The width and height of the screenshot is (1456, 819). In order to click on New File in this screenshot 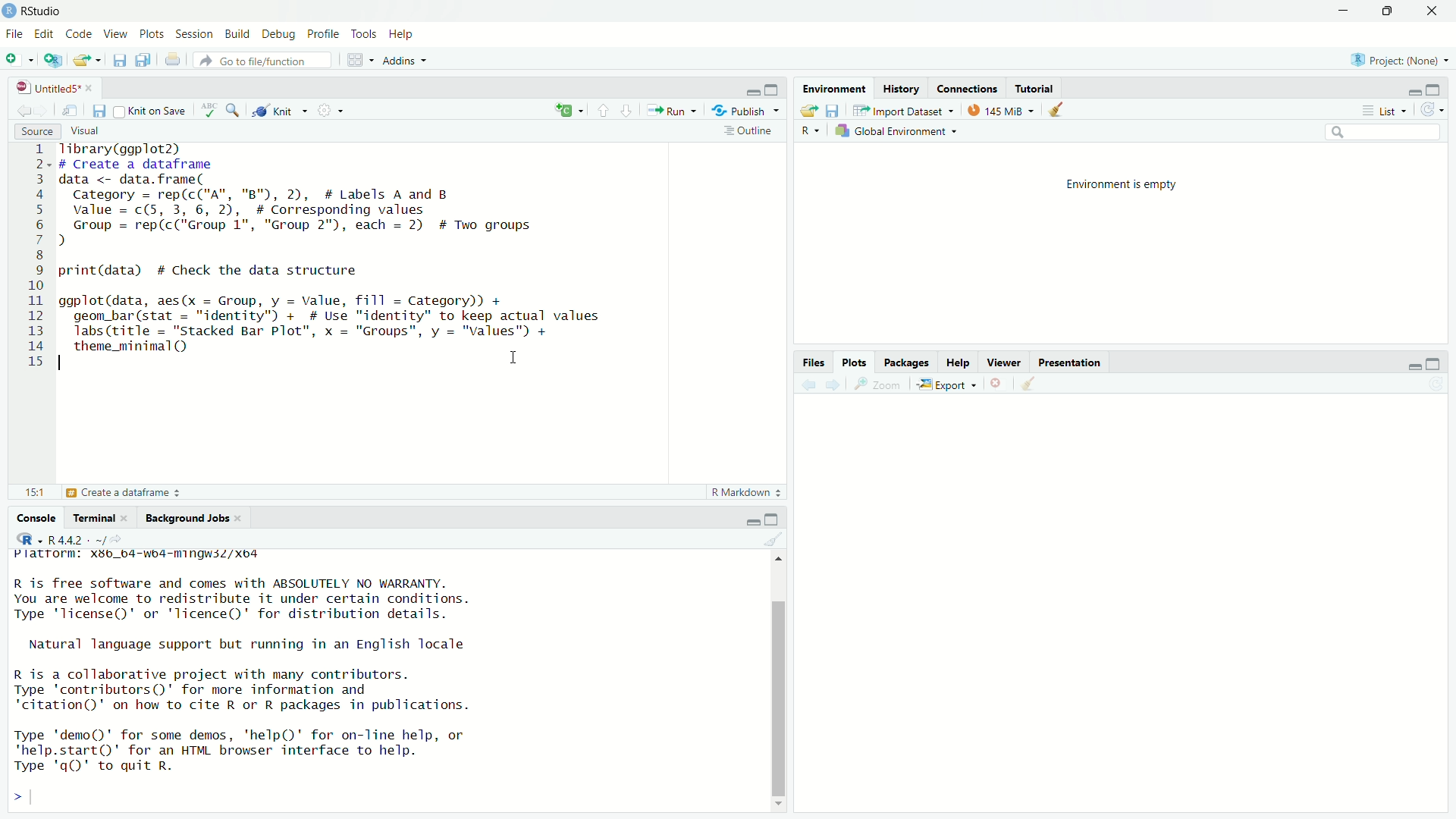, I will do `click(21, 60)`.